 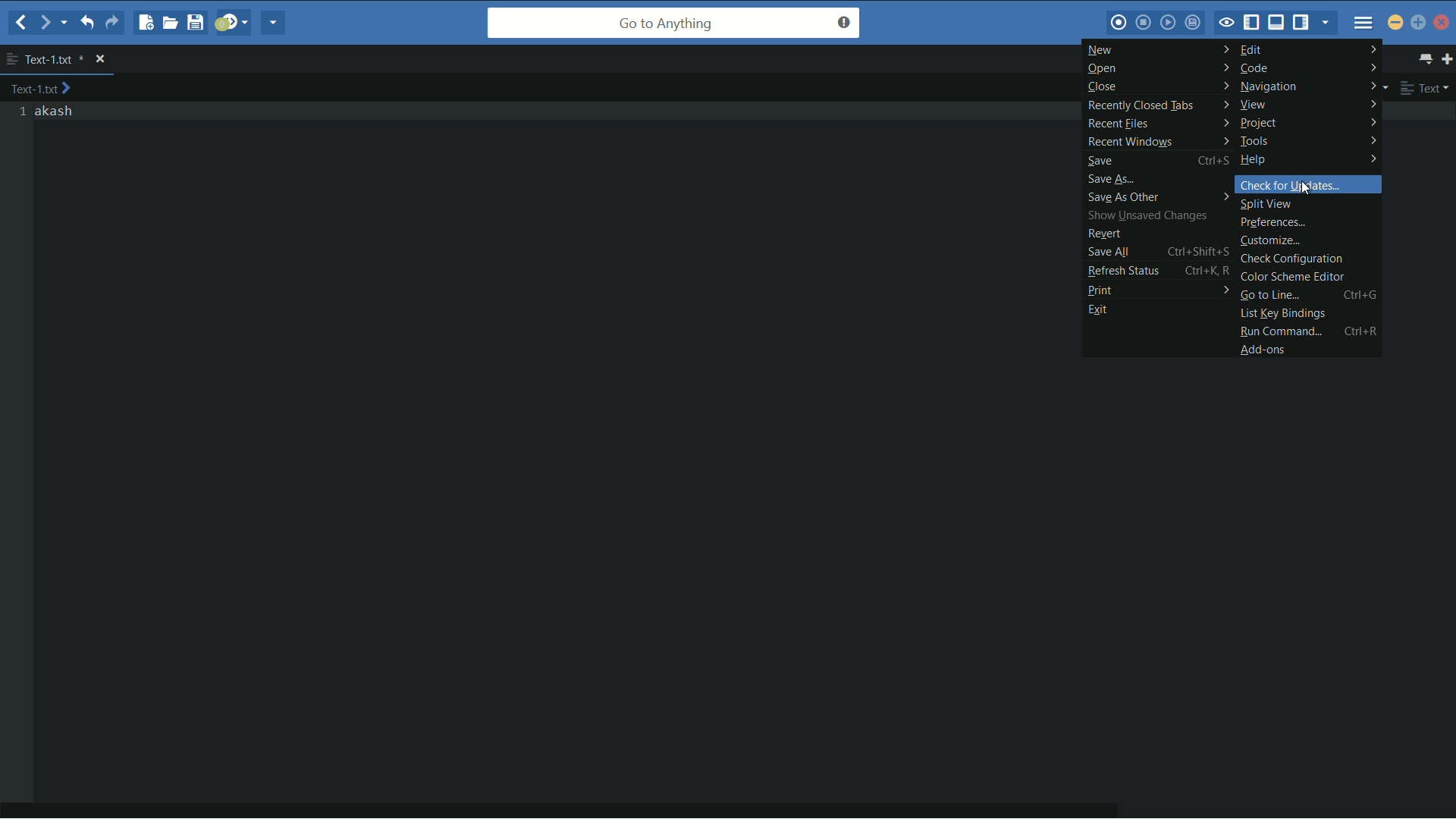 What do you see at coordinates (1308, 104) in the screenshot?
I see `view` at bounding box center [1308, 104].